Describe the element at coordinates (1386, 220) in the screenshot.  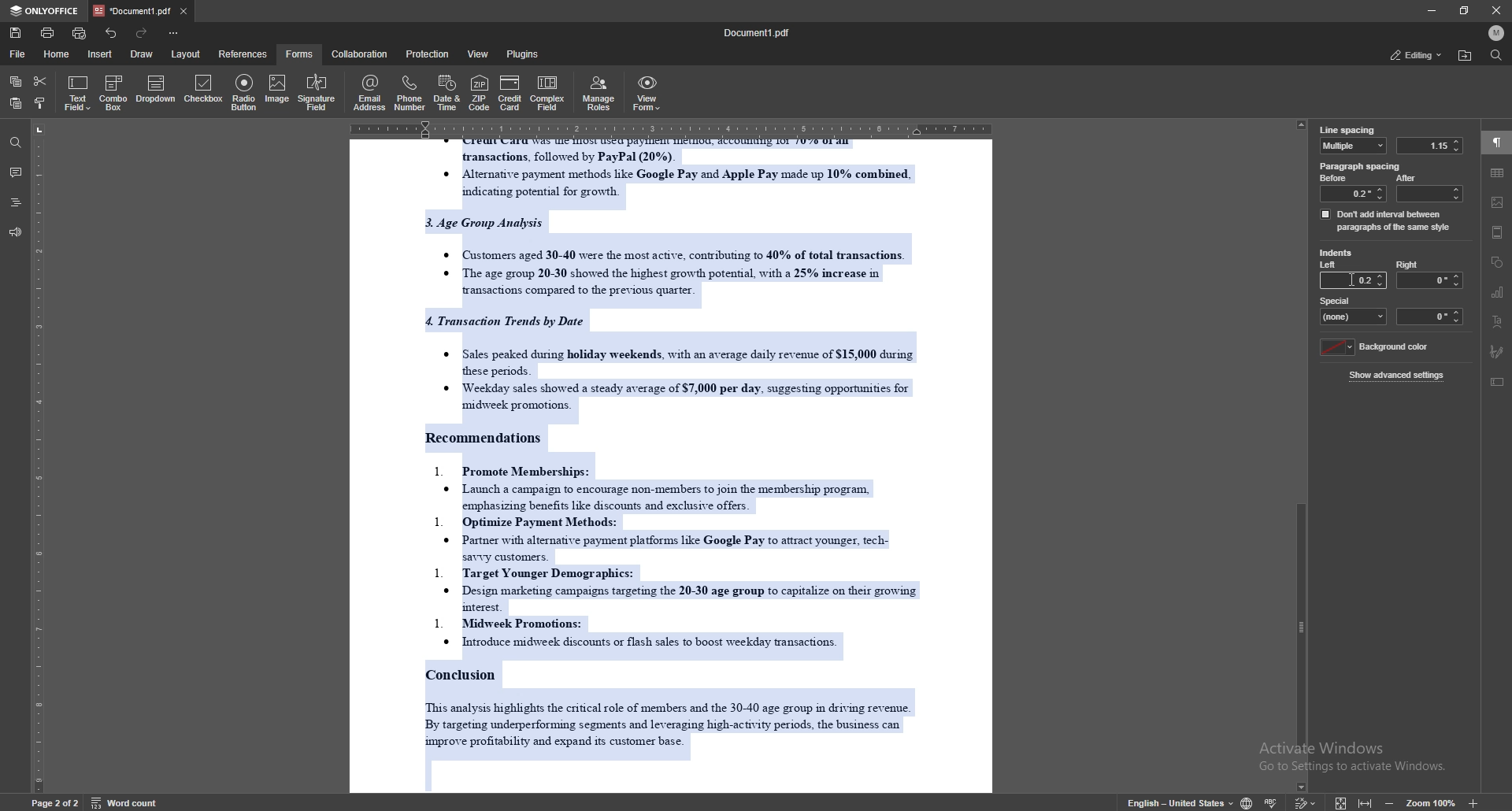
I see `dont add interval between paragraph of same style` at that location.